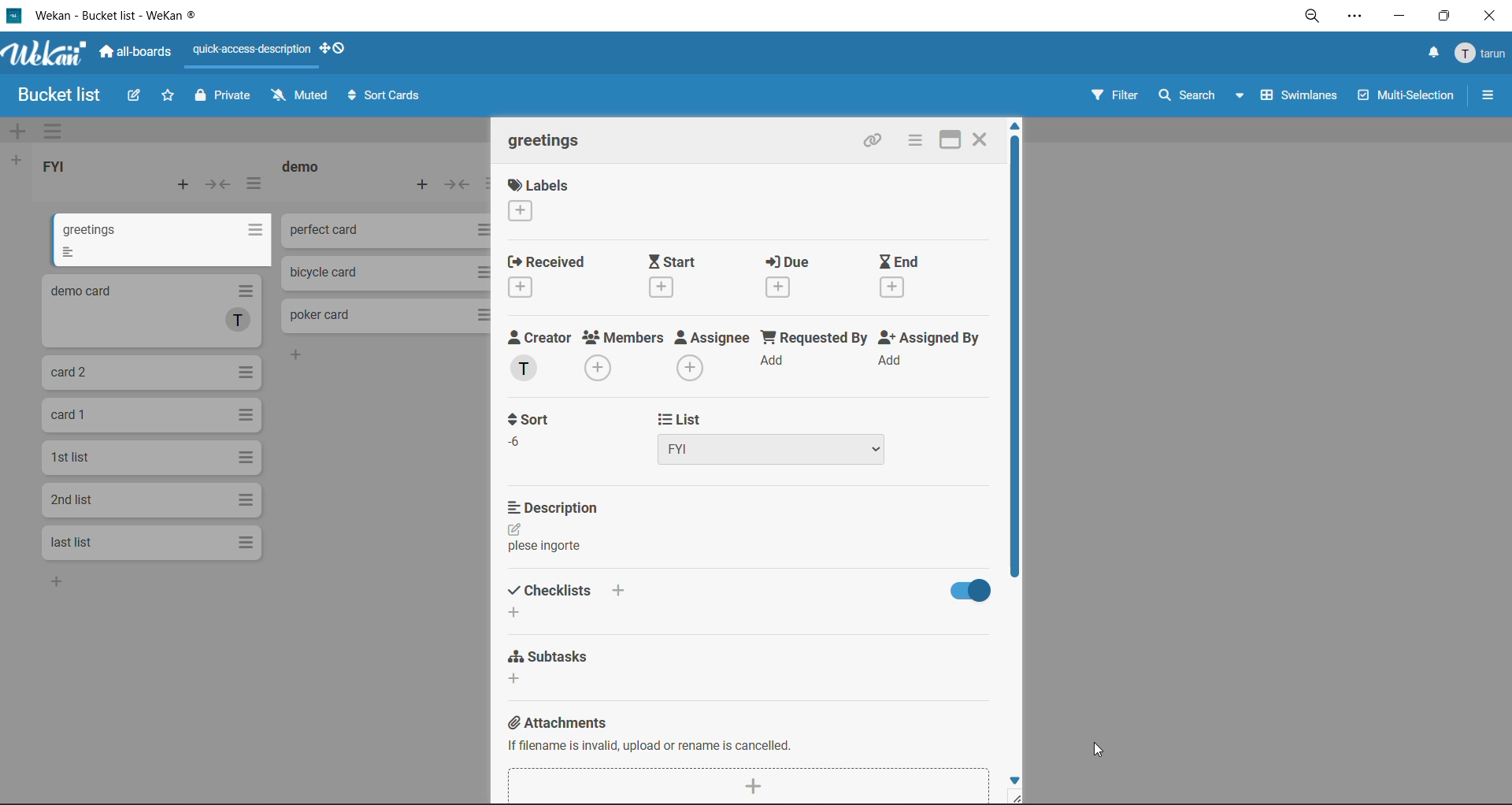 The width and height of the screenshot is (1512, 805). Describe the element at coordinates (1204, 95) in the screenshot. I see `search` at that location.